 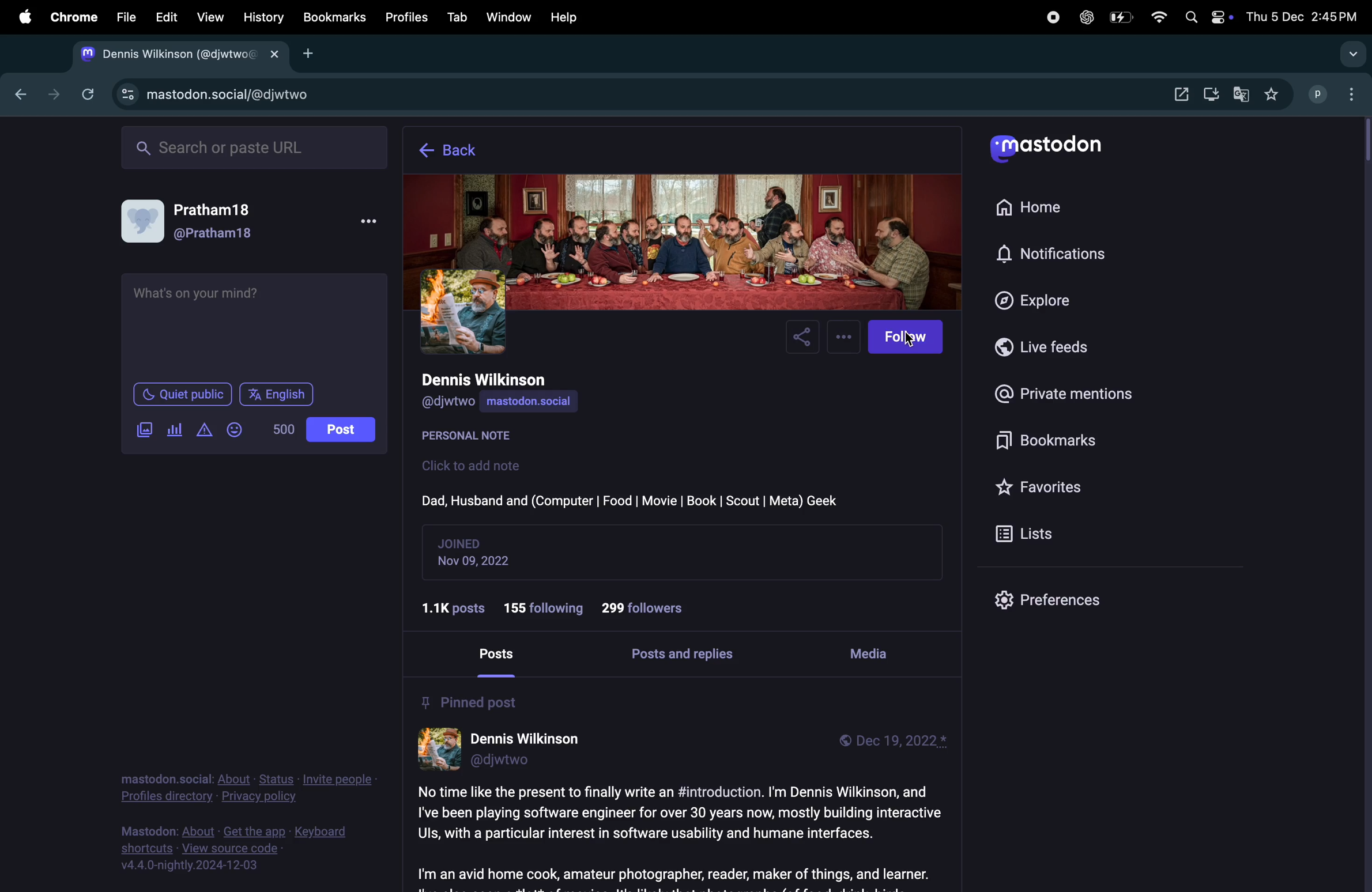 What do you see at coordinates (1120, 18) in the screenshot?
I see `battery` at bounding box center [1120, 18].